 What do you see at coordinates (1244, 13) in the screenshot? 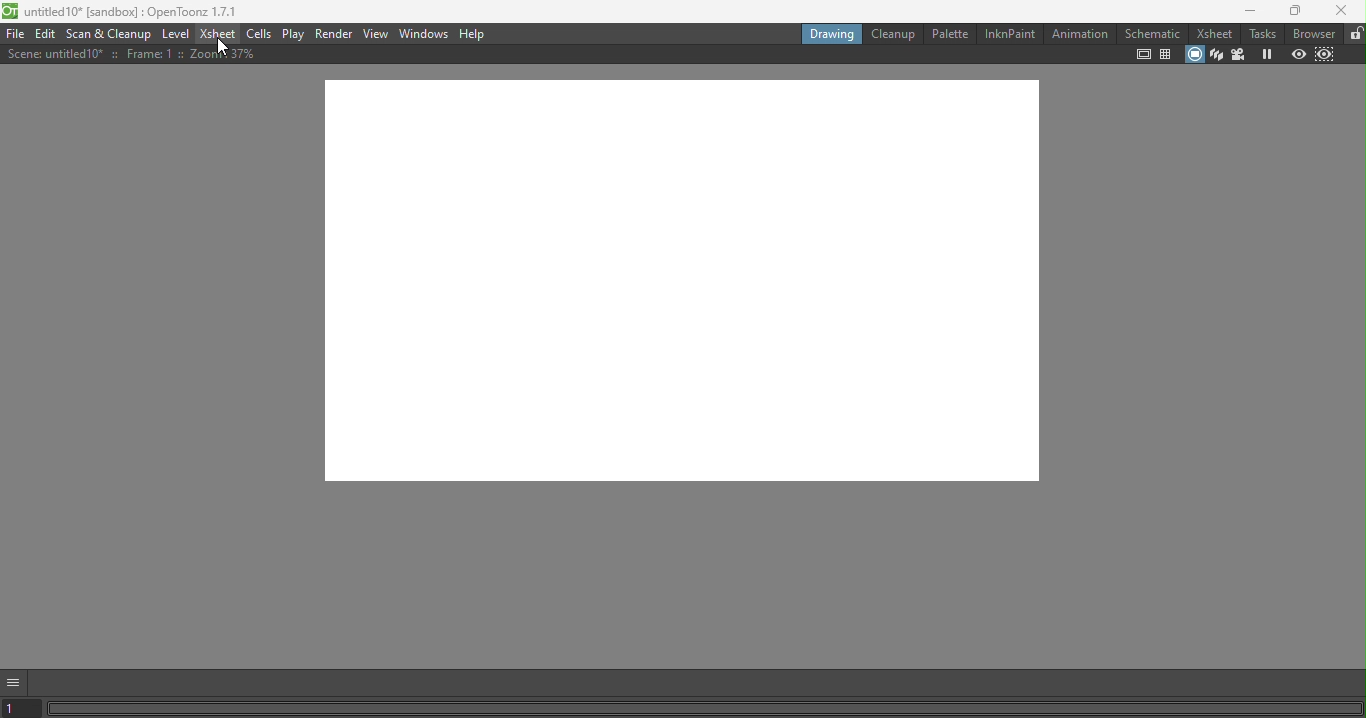
I see `Minimize` at bounding box center [1244, 13].